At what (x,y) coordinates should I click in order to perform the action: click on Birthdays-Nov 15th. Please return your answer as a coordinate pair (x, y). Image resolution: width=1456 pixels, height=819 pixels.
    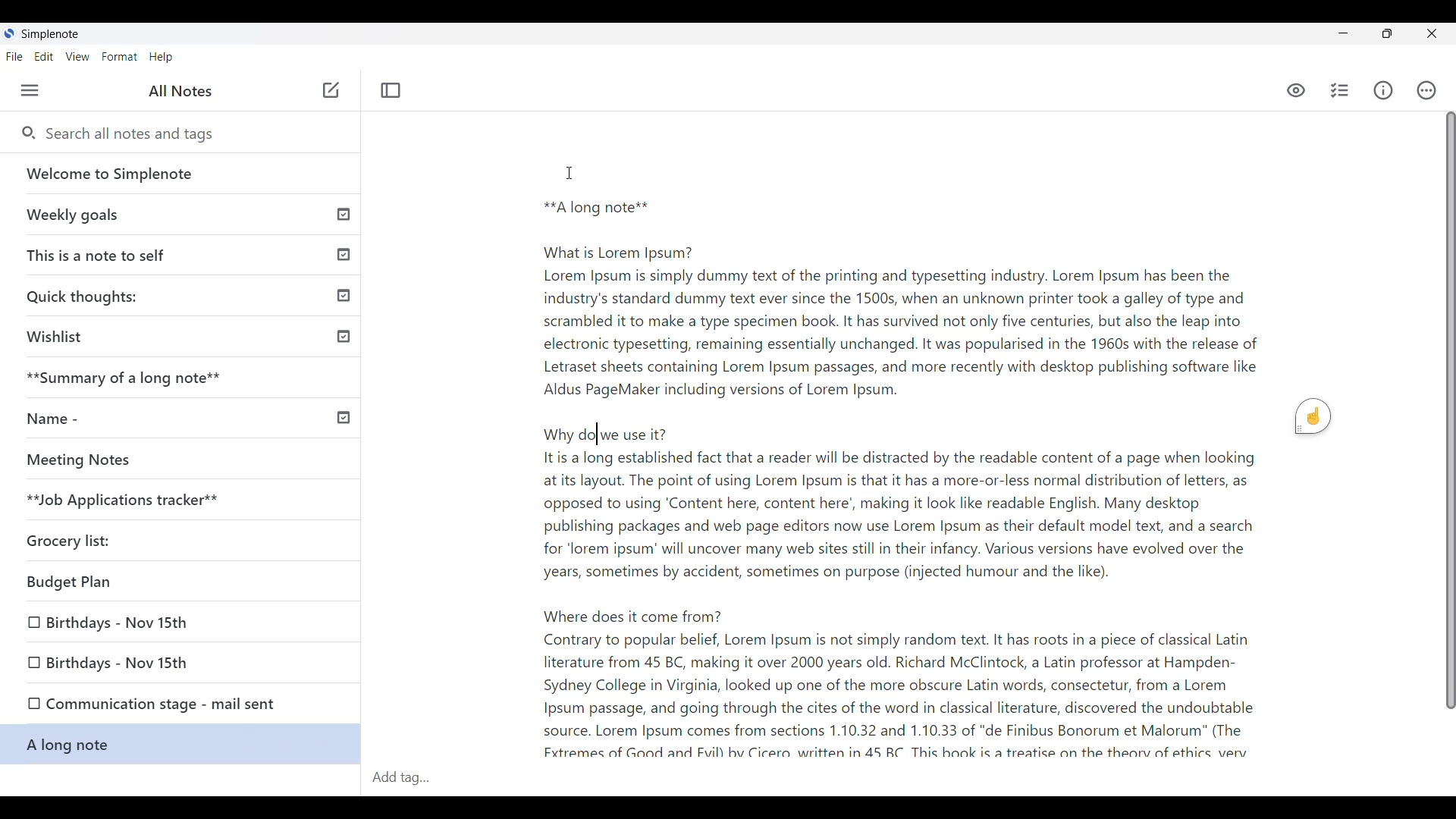
    Looking at the image, I should click on (123, 624).